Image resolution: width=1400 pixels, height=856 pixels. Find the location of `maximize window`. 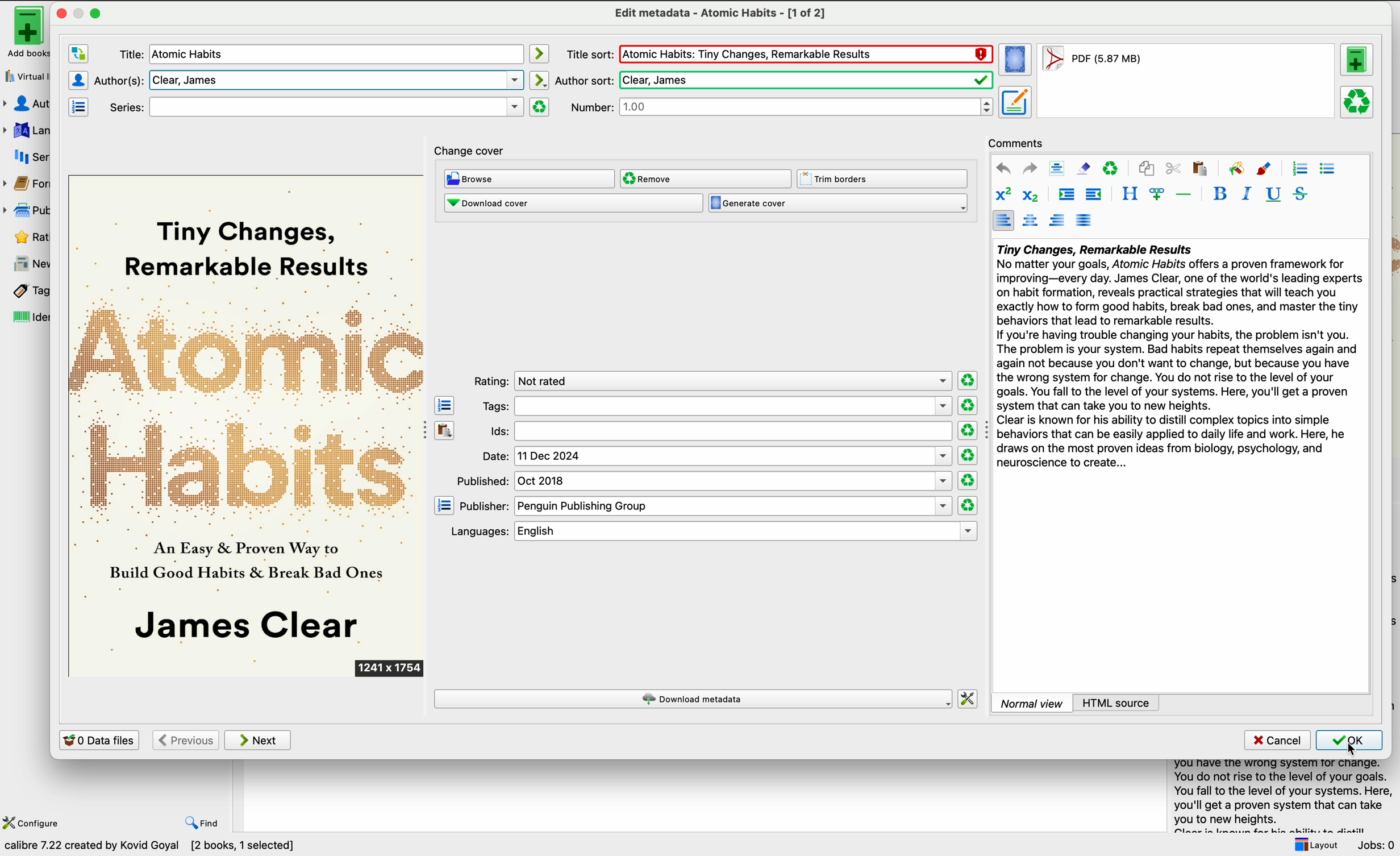

maximize window is located at coordinates (88, 13).